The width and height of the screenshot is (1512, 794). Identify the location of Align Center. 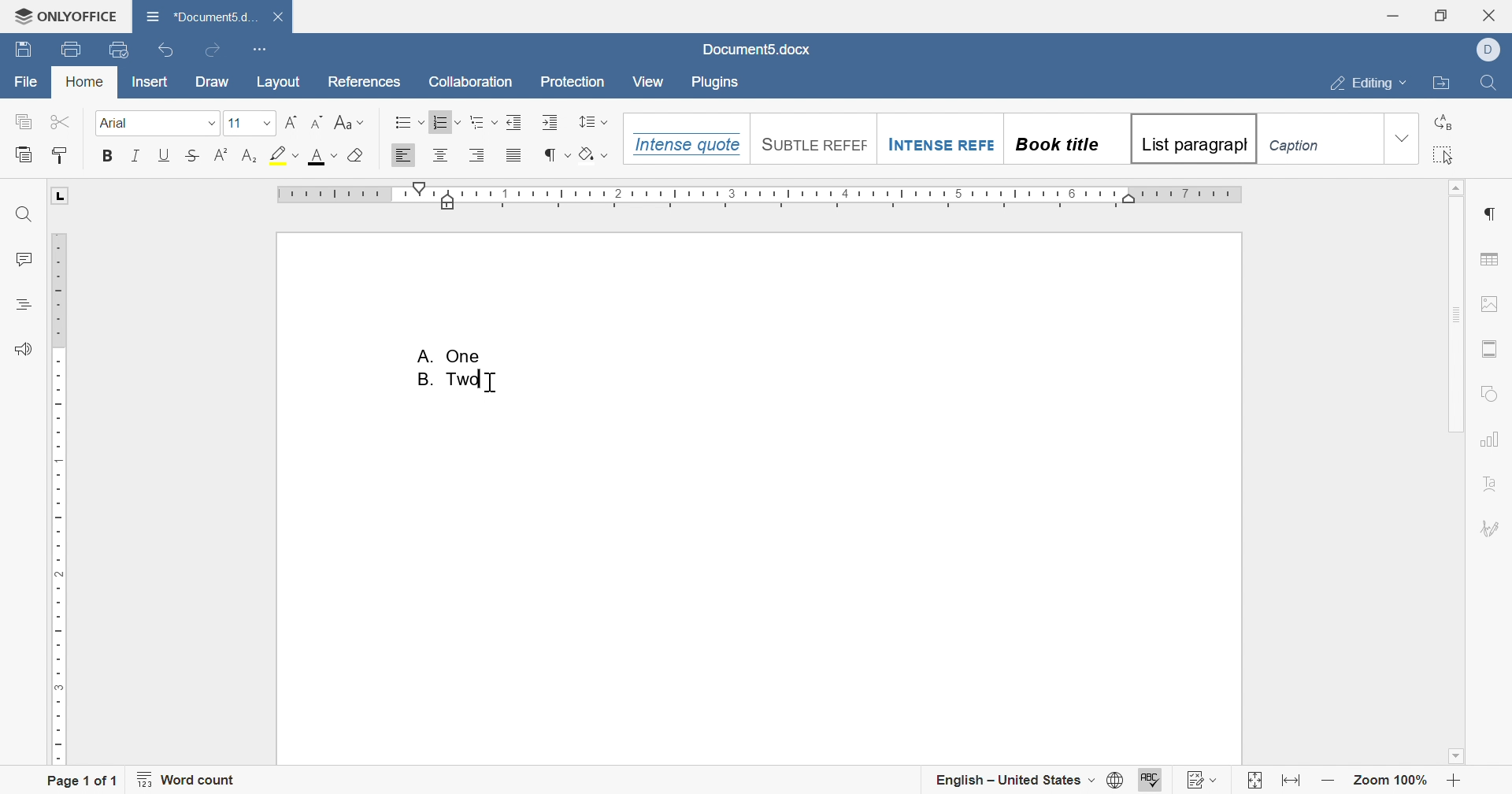
(440, 155).